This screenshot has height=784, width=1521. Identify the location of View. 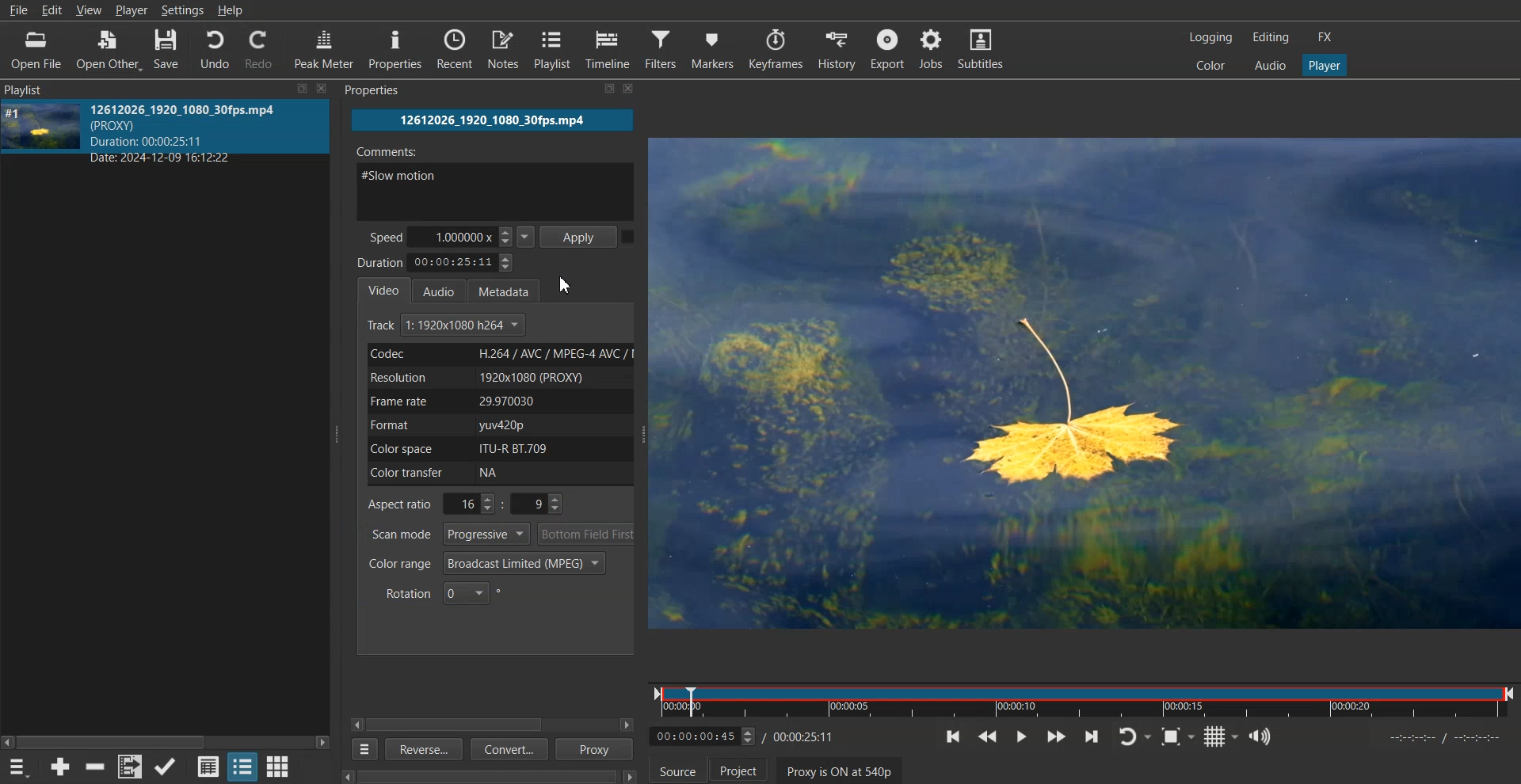
(90, 11).